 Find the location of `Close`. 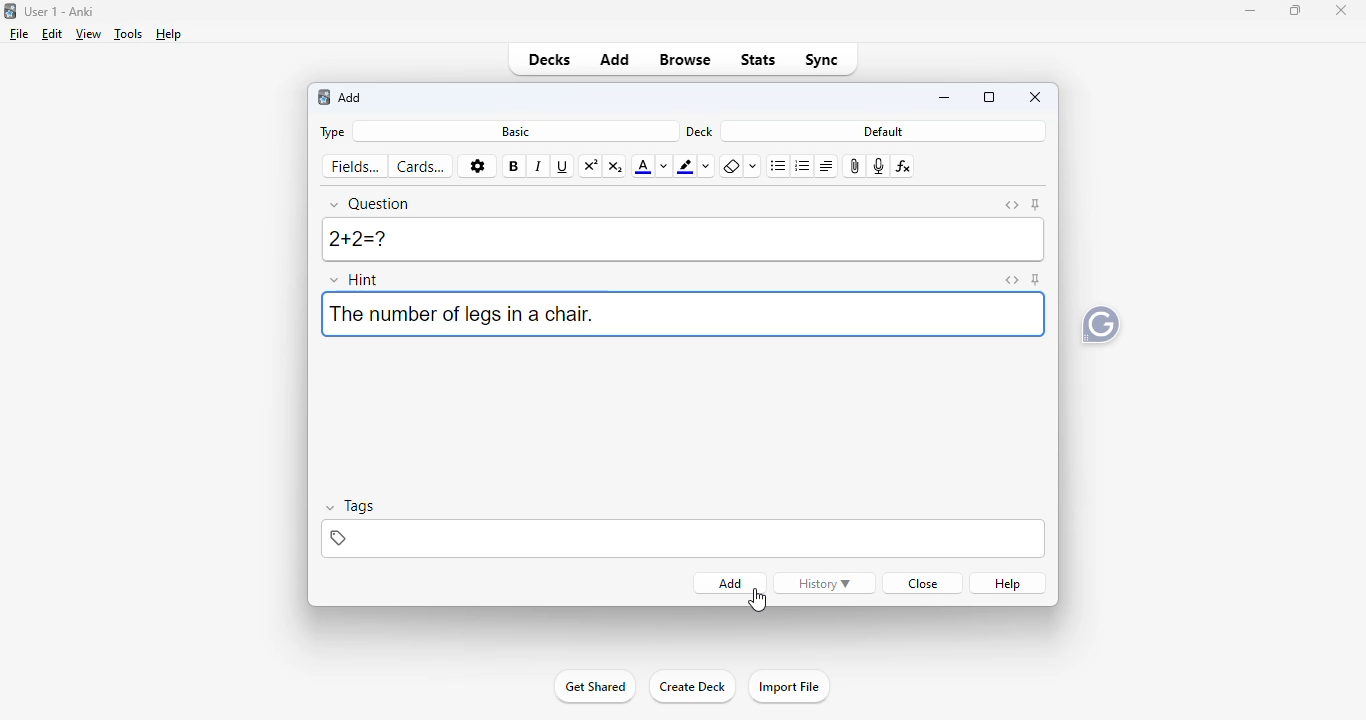

Close is located at coordinates (1342, 13).